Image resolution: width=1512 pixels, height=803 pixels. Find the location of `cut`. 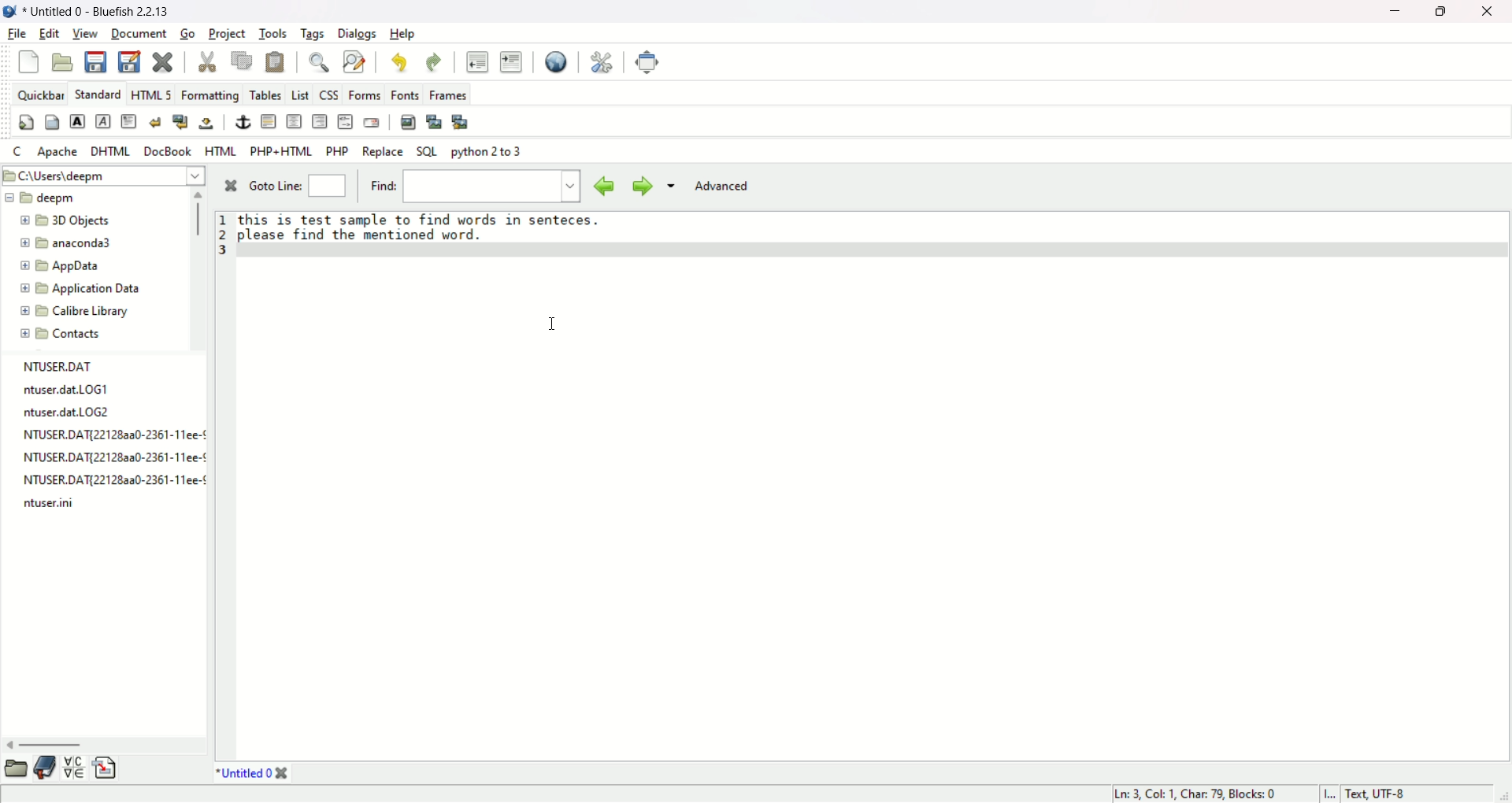

cut is located at coordinates (207, 61).